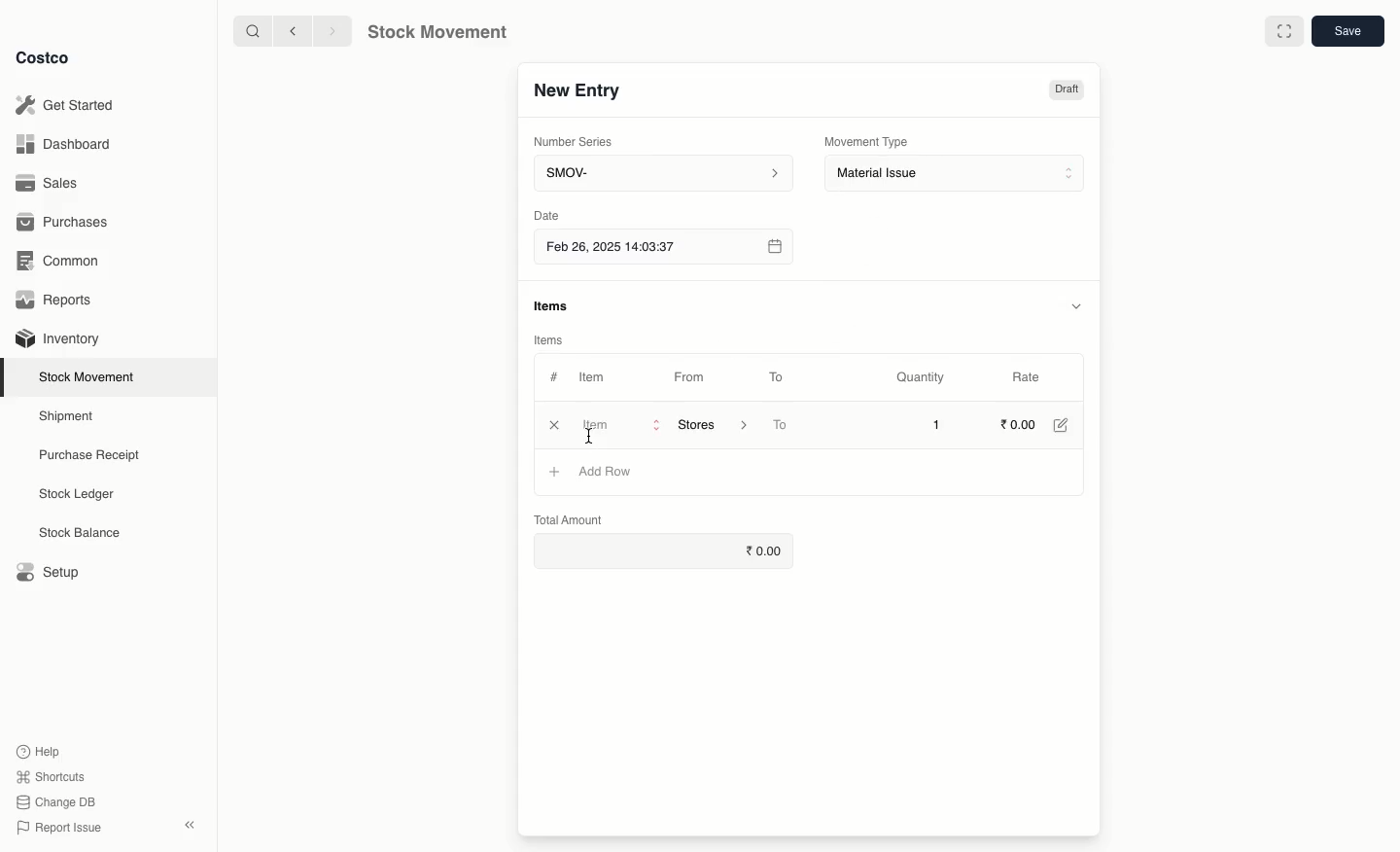 The width and height of the screenshot is (1400, 852). What do you see at coordinates (51, 774) in the screenshot?
I see `Shortcuts` at bounding box center [51, 774].